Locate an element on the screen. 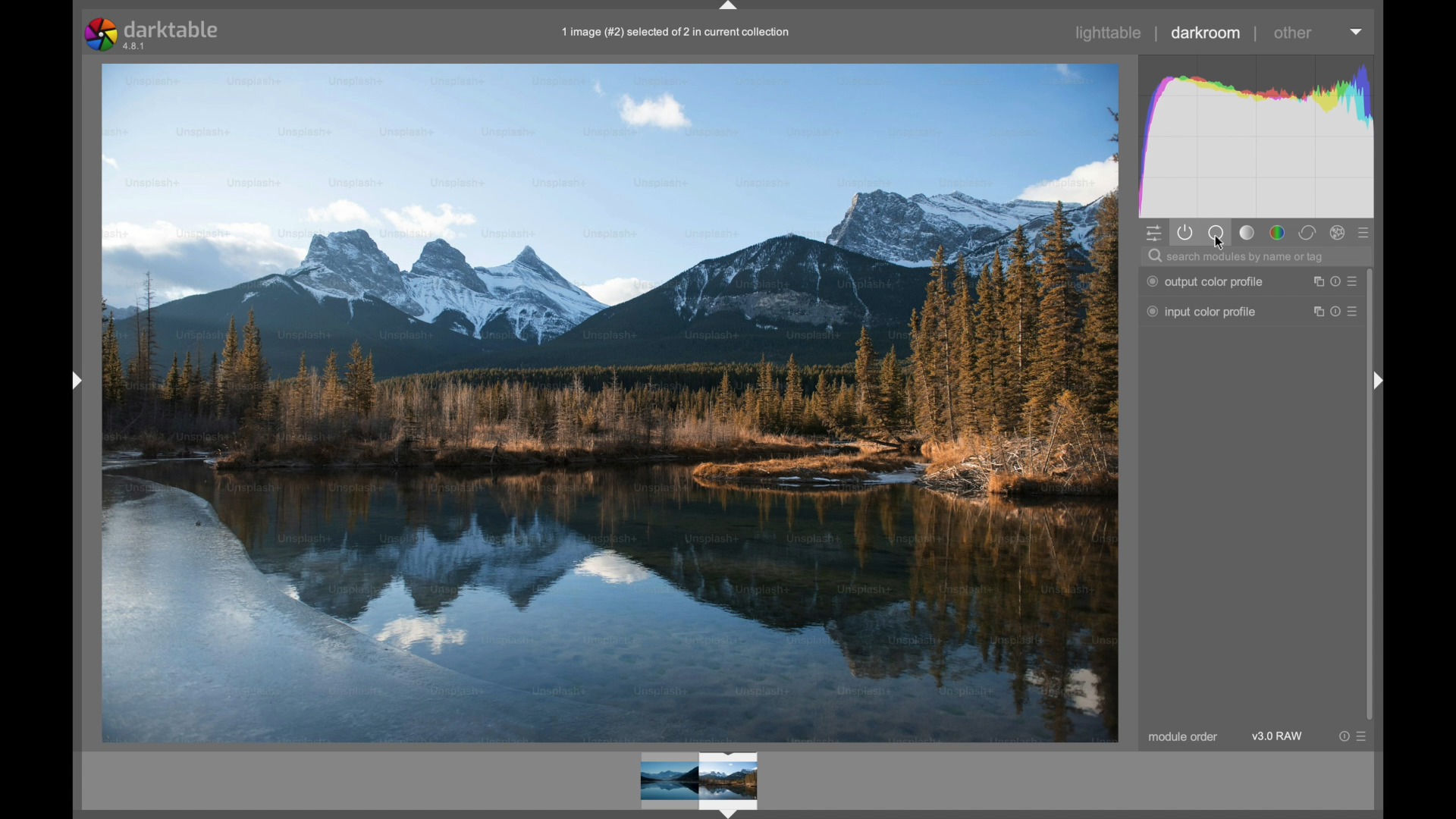 This screenshot has height=819, width=1456. reset parameters is located at coordinates (1335, 312).